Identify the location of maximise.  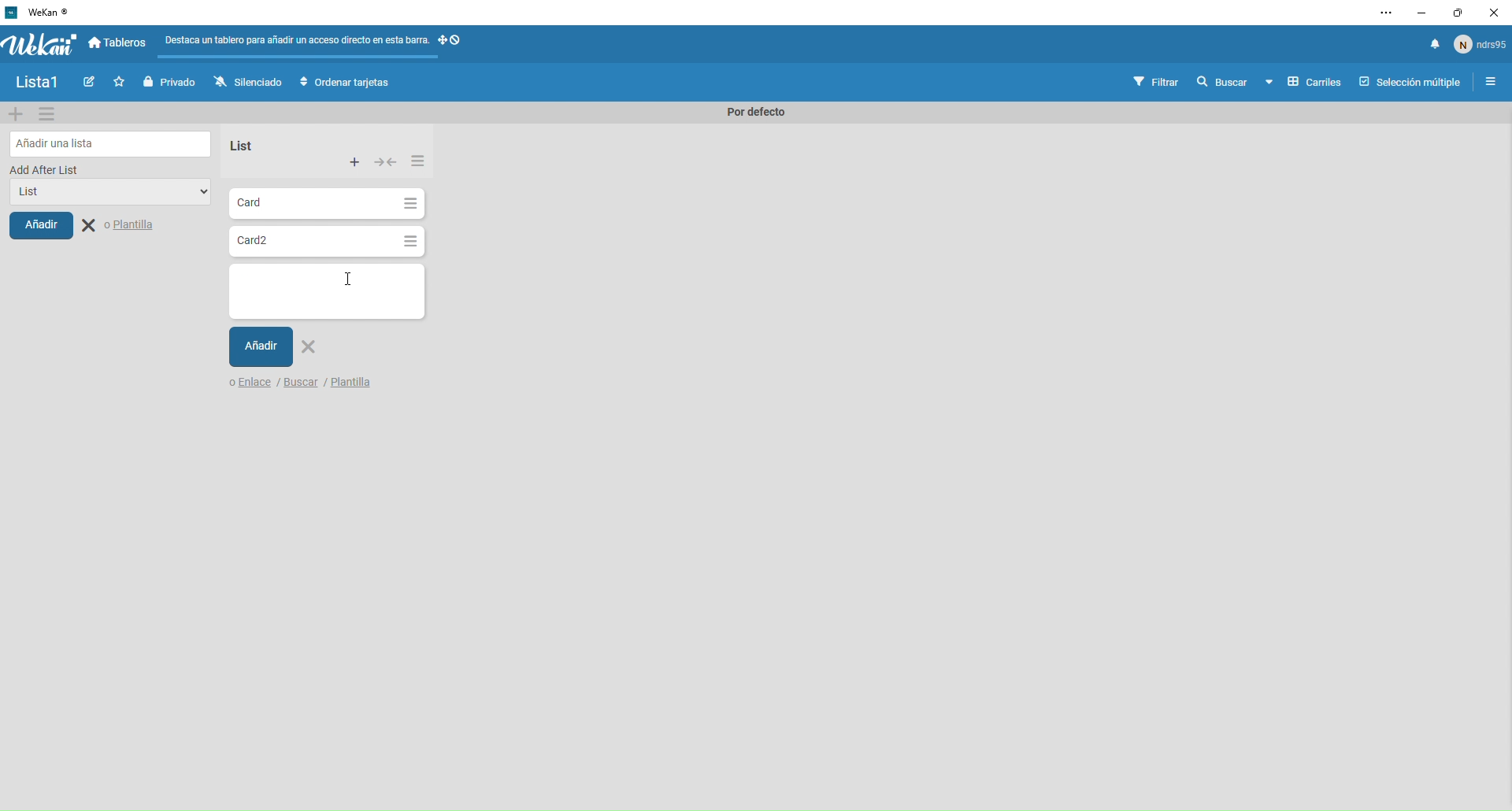
(1453, 14).